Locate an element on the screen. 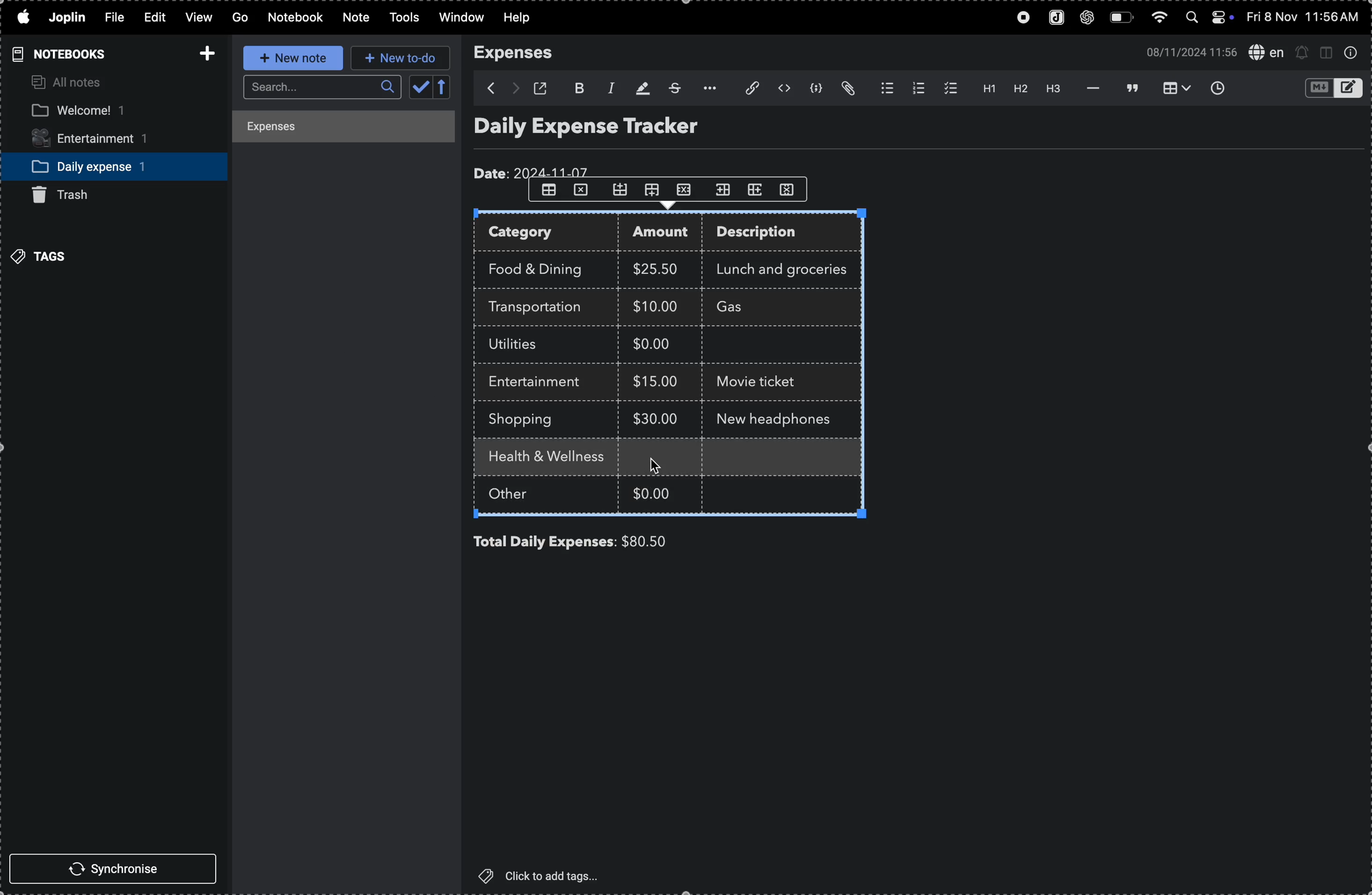 The image size is (1372, 895). delete coloumn is located at coordinates (793, 189).